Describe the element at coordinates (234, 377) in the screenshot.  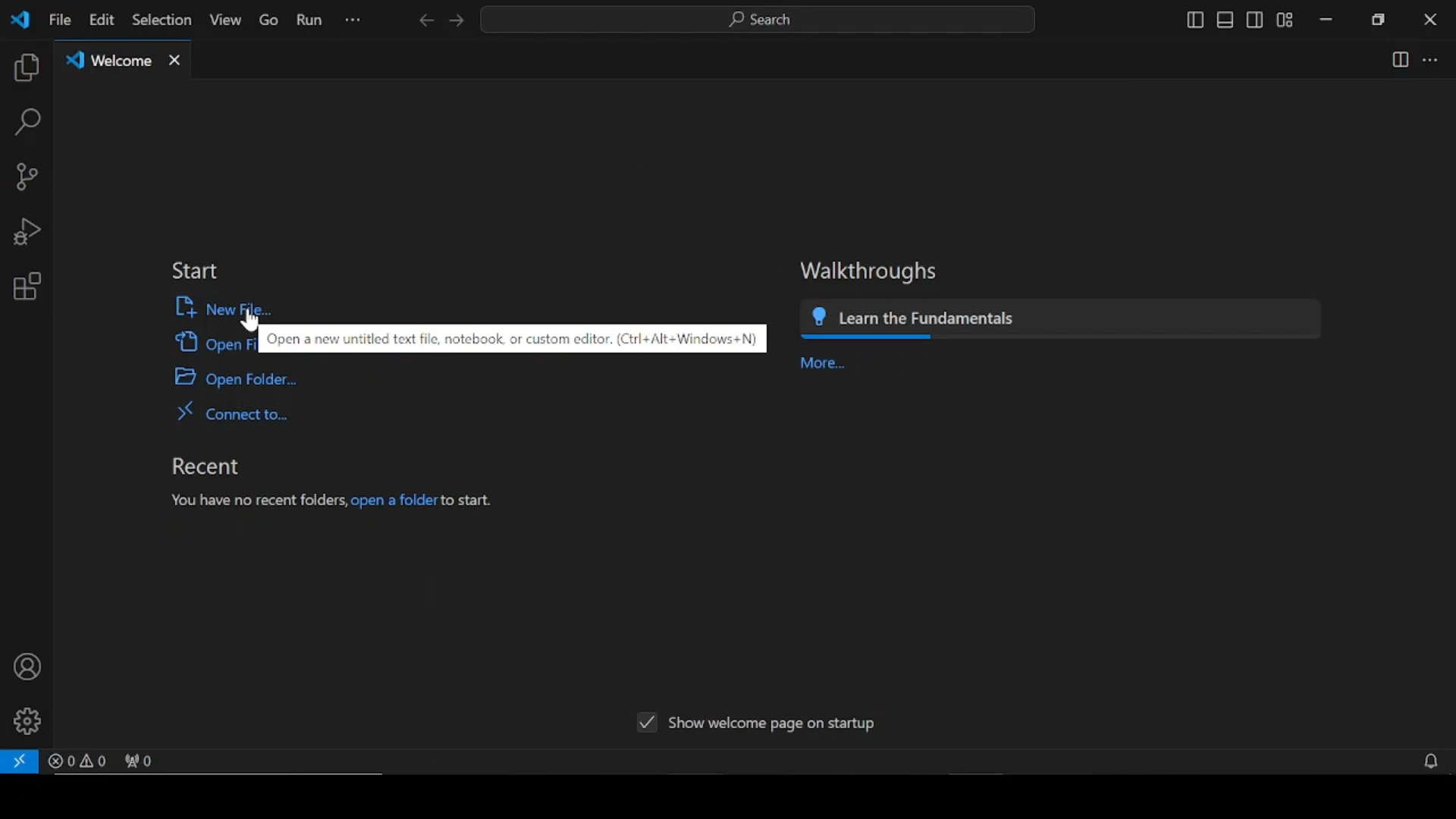
I see `open folder` at that location.